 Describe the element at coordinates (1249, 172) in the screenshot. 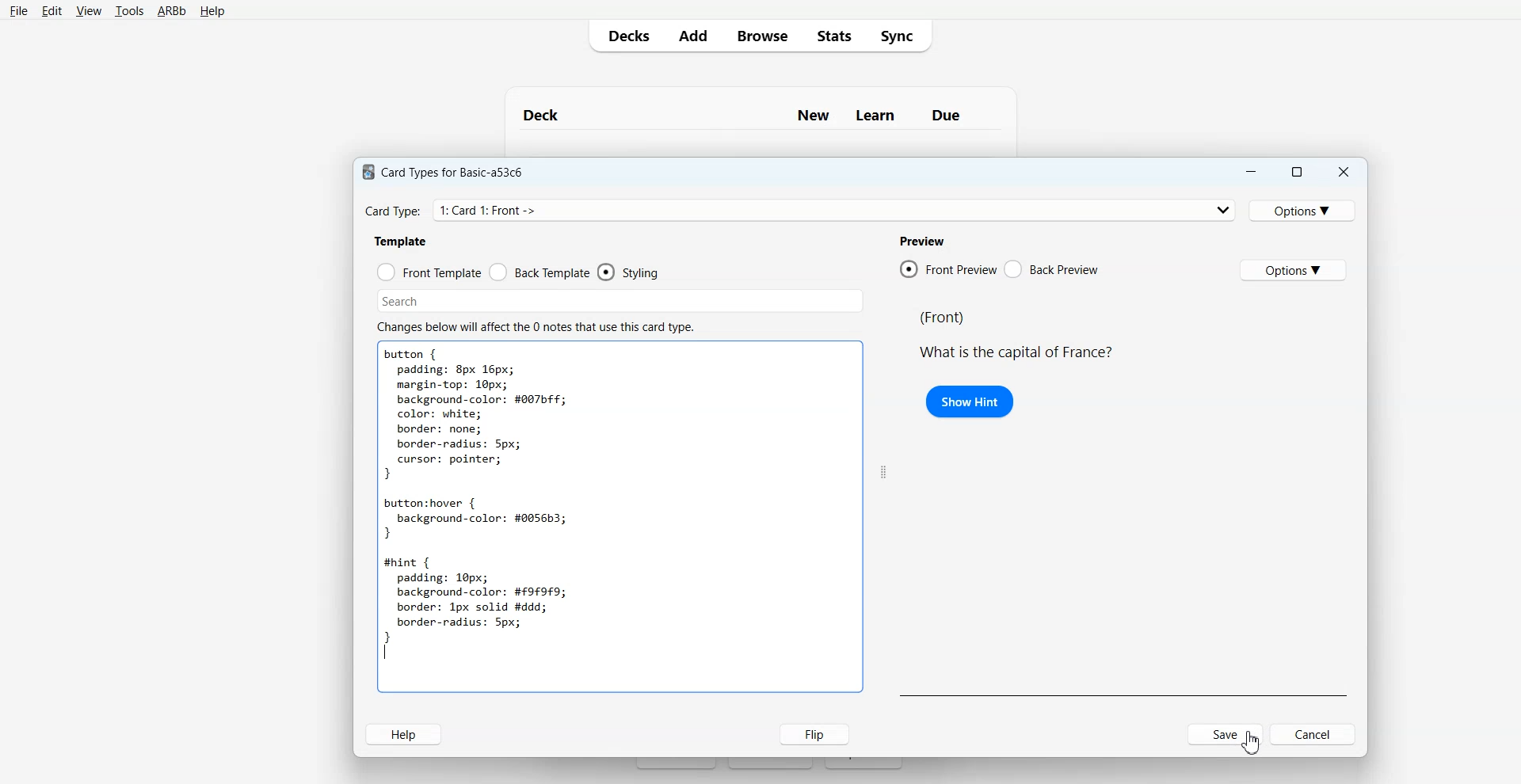

I see `Minimize` at that location.